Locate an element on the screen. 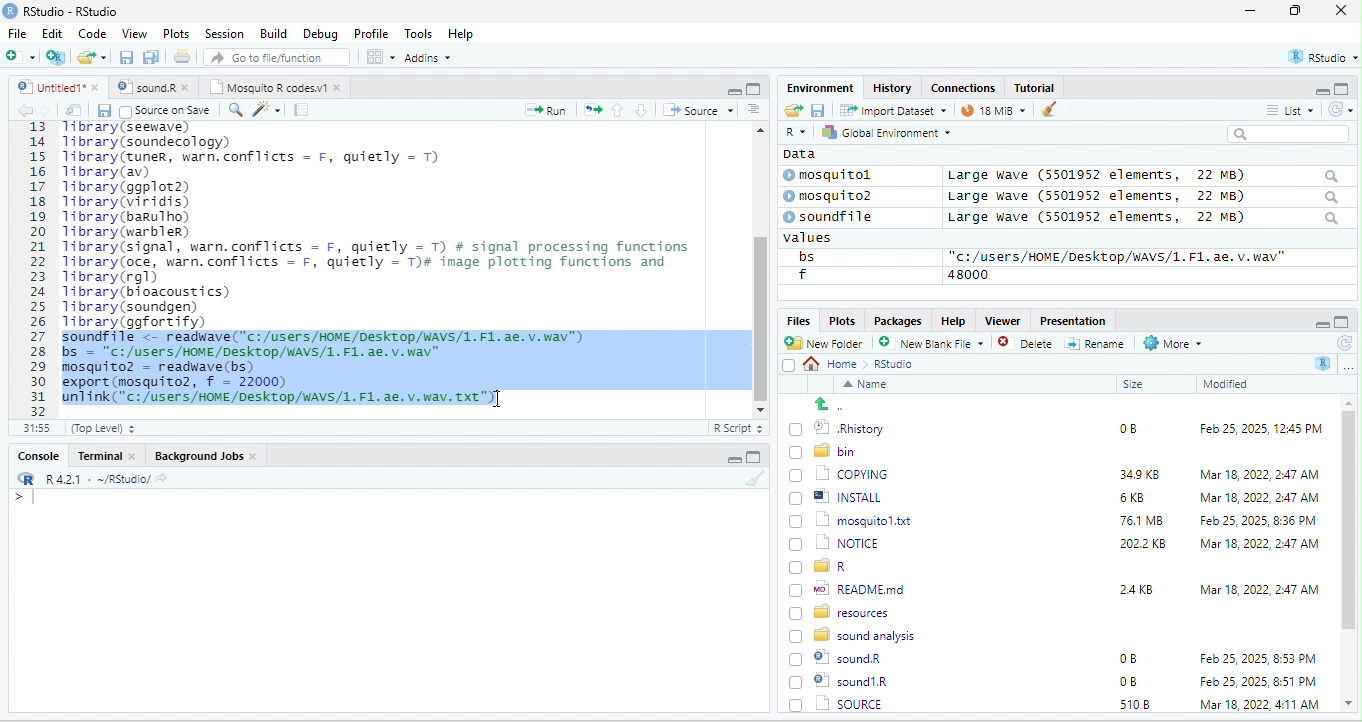 The width and height of the screenshot is (1362, 722). Session is located at coordinates (225, 32).